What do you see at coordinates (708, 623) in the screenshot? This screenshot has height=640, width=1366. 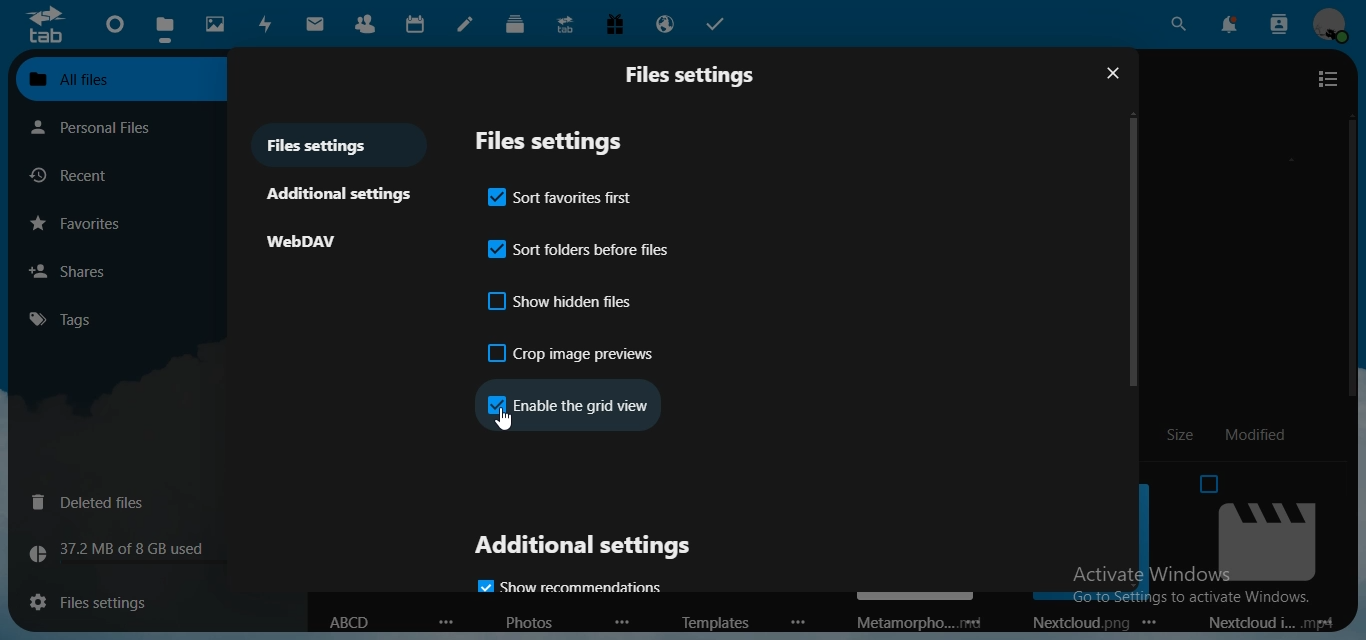 I see `templates` at bounding box center [708, 623].